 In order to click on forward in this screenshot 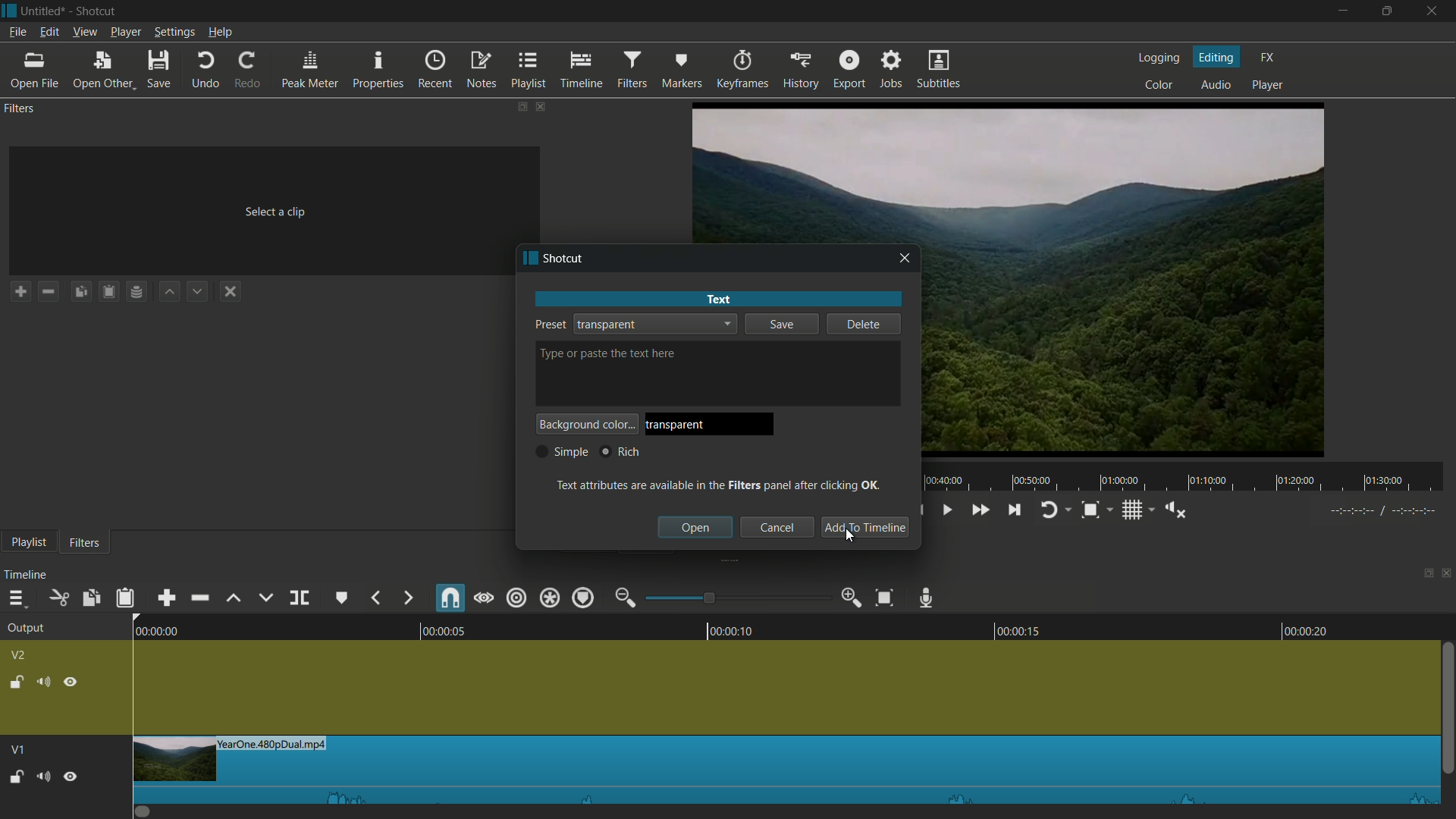, I will do `click(407, 598)`.